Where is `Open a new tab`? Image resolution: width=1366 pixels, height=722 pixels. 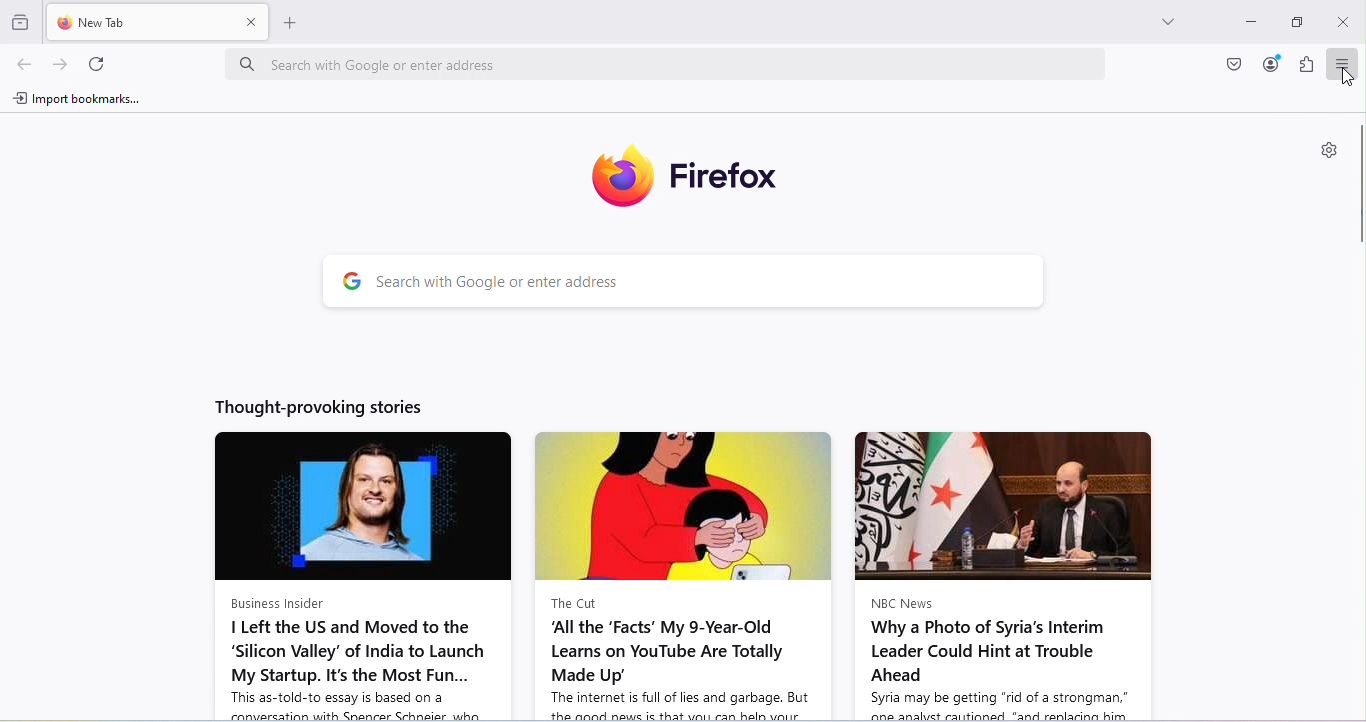 Open a new tab is located at coordinates (299, 25).